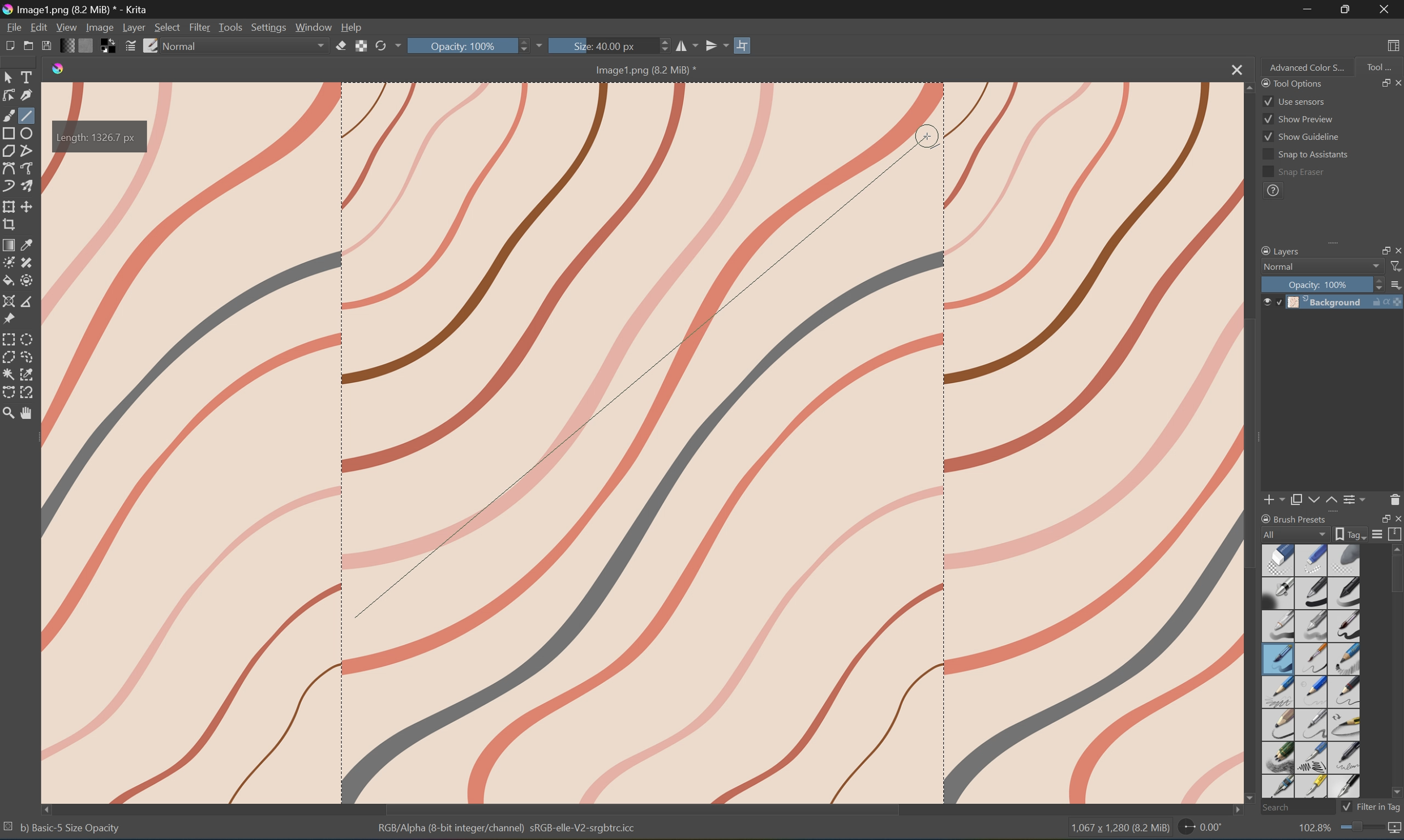 This screenshot has width=1404, height=840. What do you see at coordinates (1296, 499) in the screenshot?
I see `Duplicate layer or mask ` at bounding box center [1296, 499].